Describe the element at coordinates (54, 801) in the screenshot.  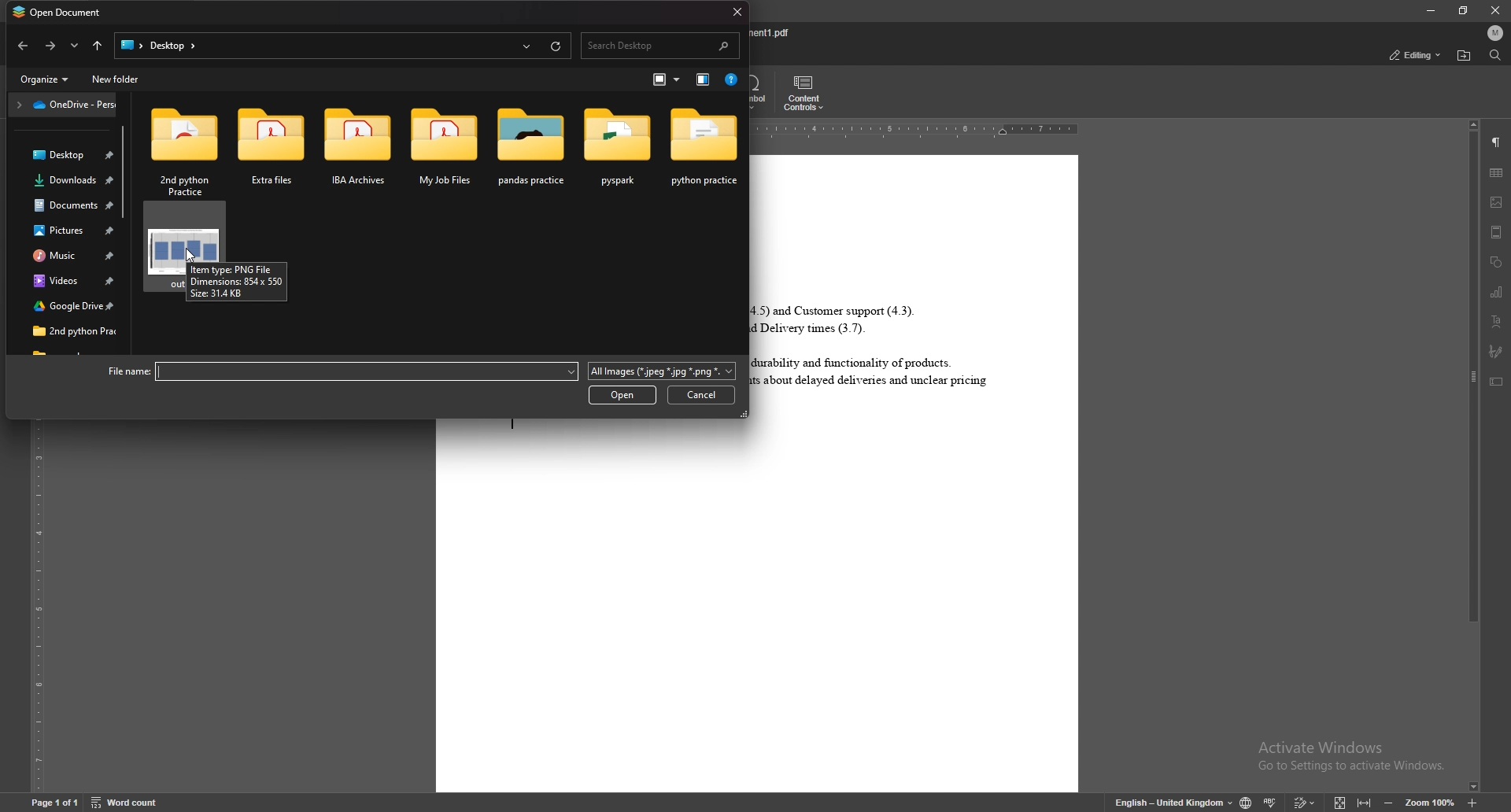
I see `page` at that location.